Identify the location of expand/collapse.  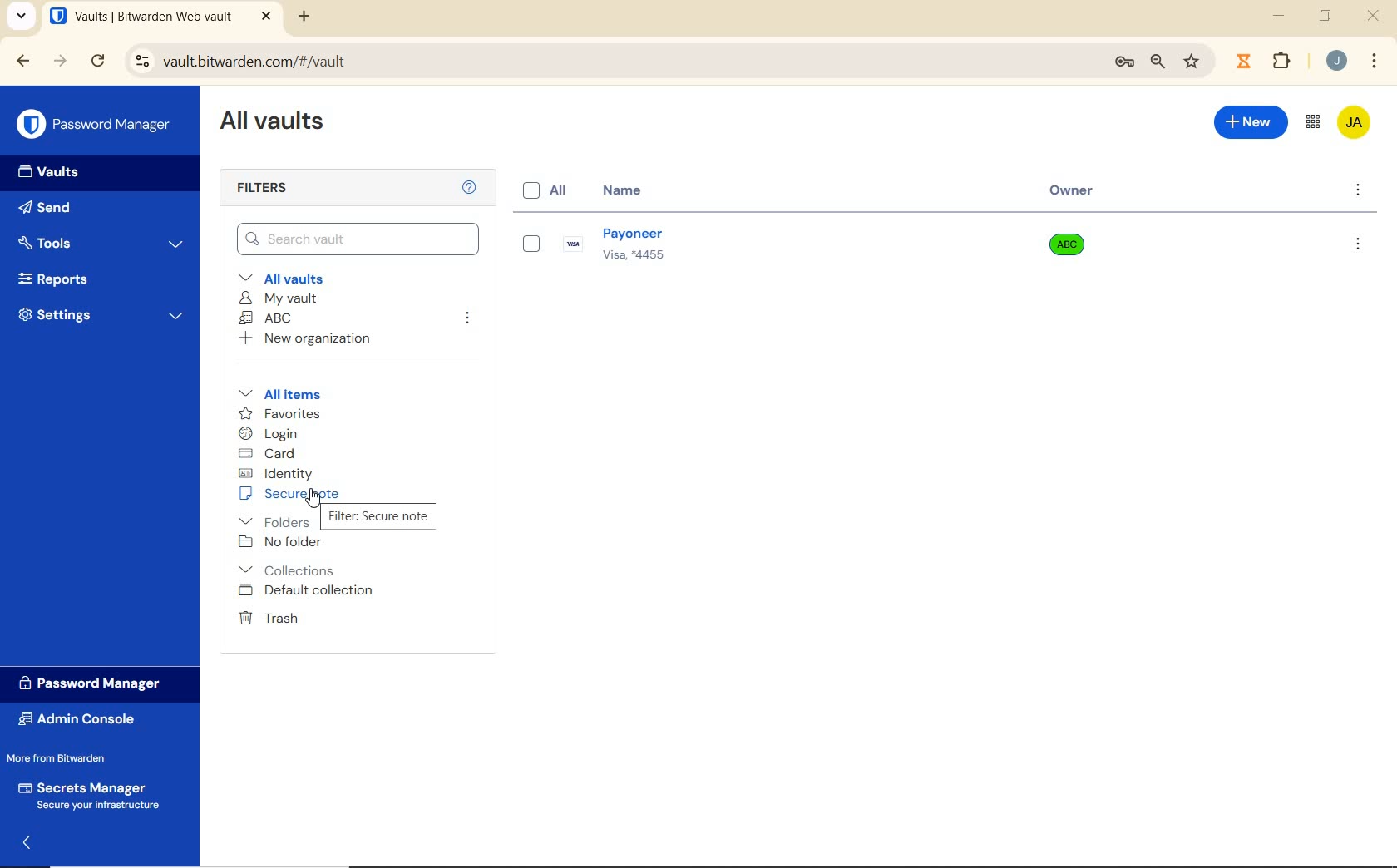
(22, 846).